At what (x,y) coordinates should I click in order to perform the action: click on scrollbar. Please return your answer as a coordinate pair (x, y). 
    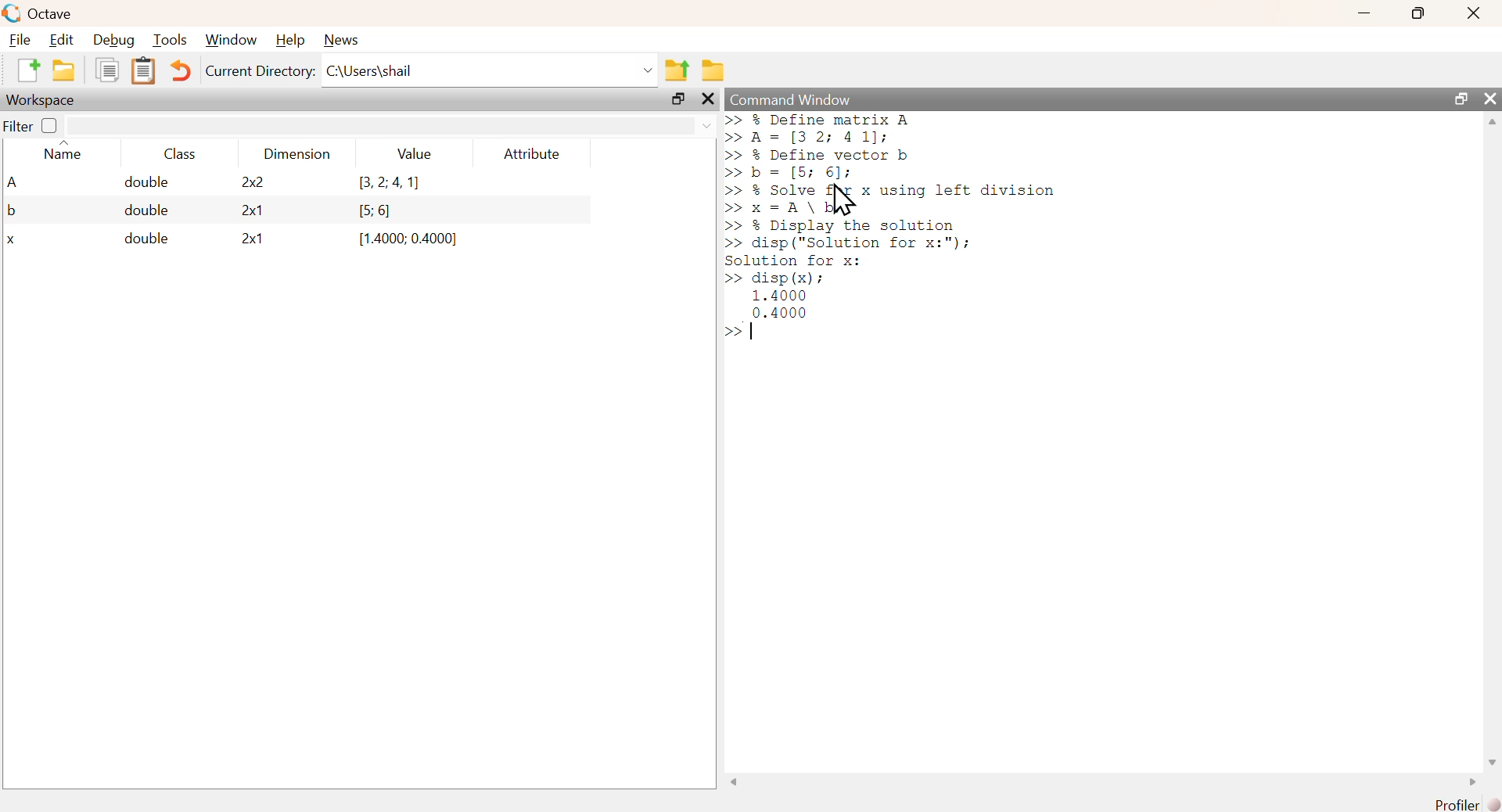
    Looking at the image, I should click on (1102, 784).